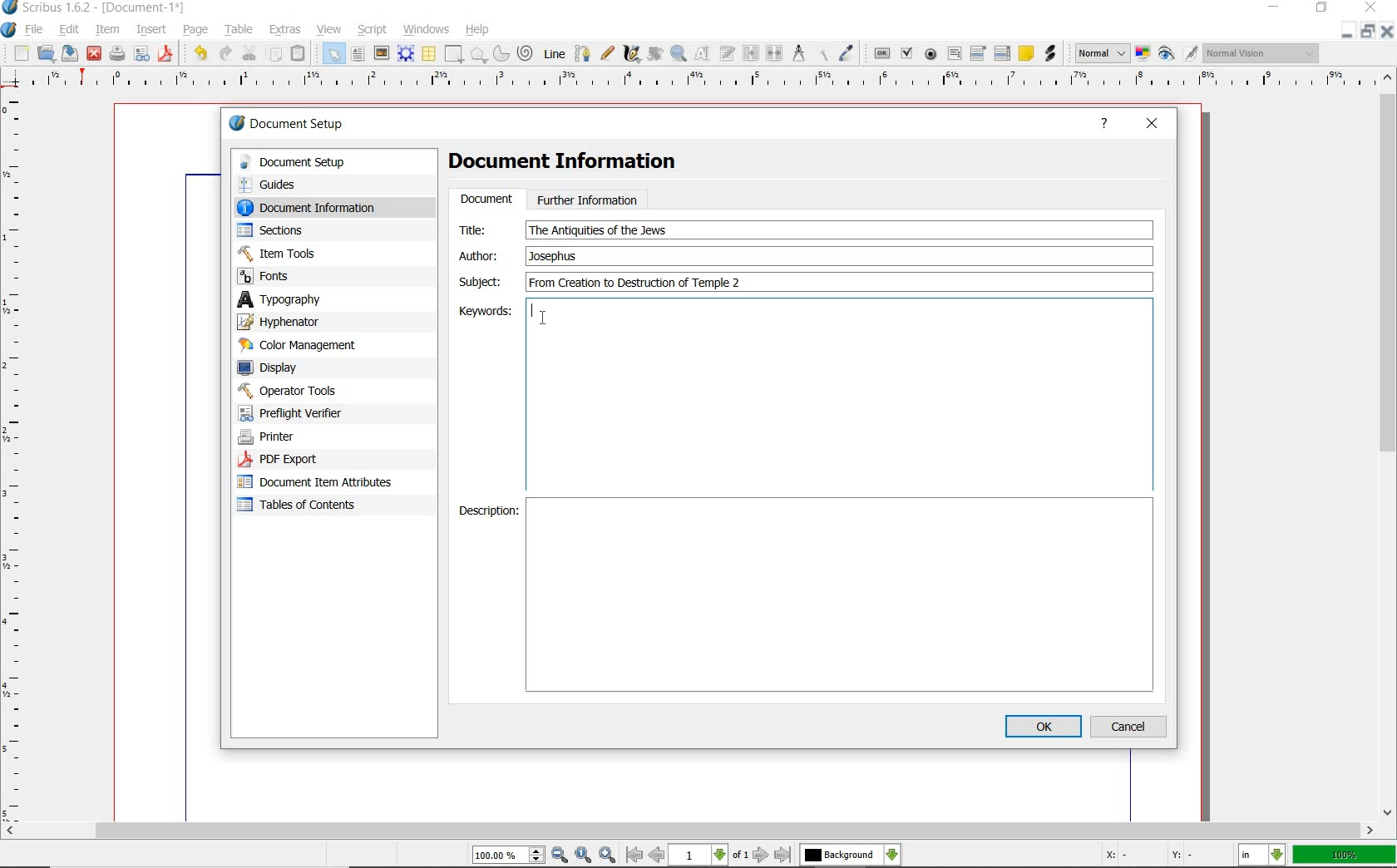 This screenshot has height=868, width=1397. I want to click on further information, so click(588, 199).